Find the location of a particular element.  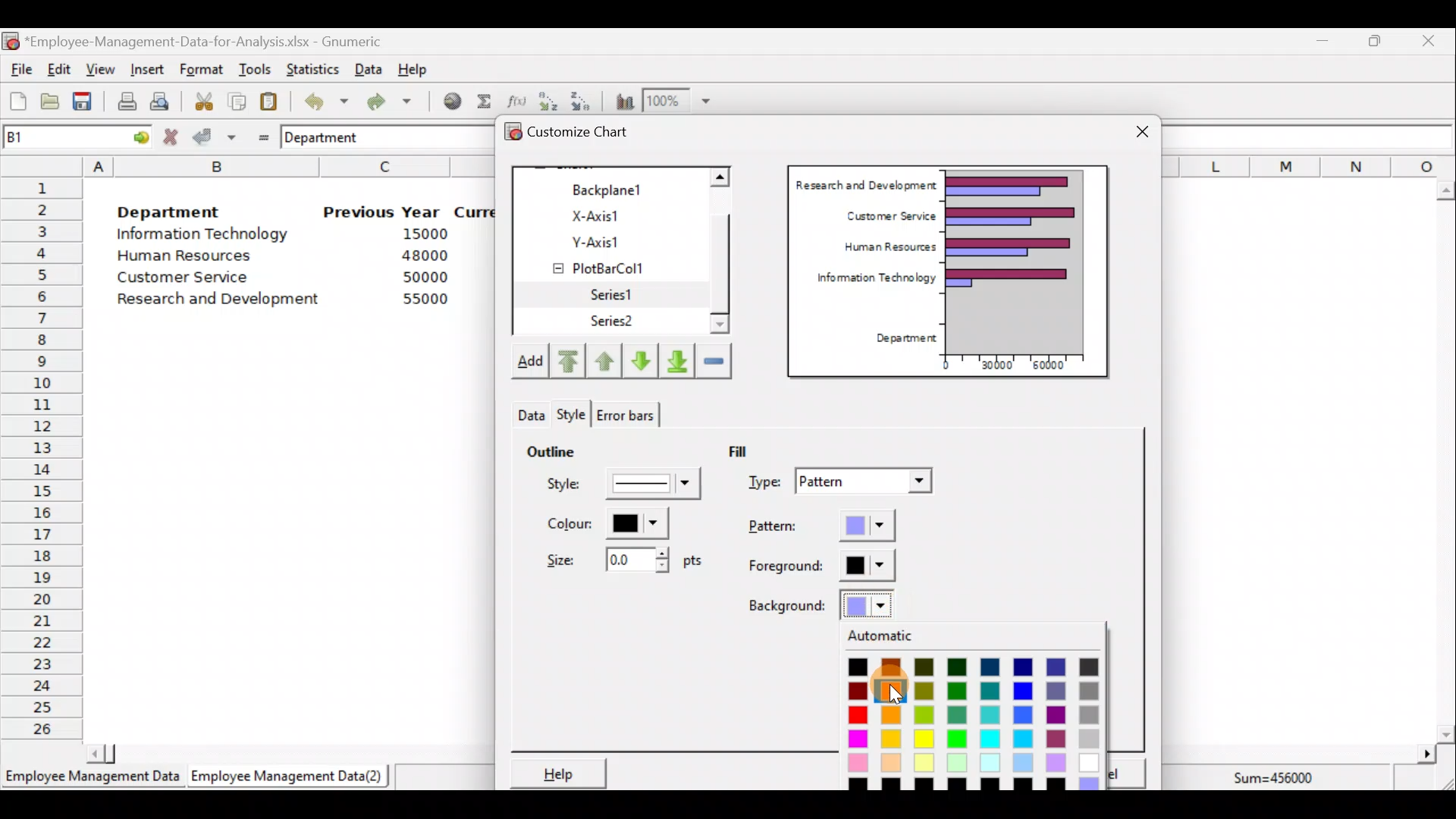

Foreground is located at coordinates (823, 566).